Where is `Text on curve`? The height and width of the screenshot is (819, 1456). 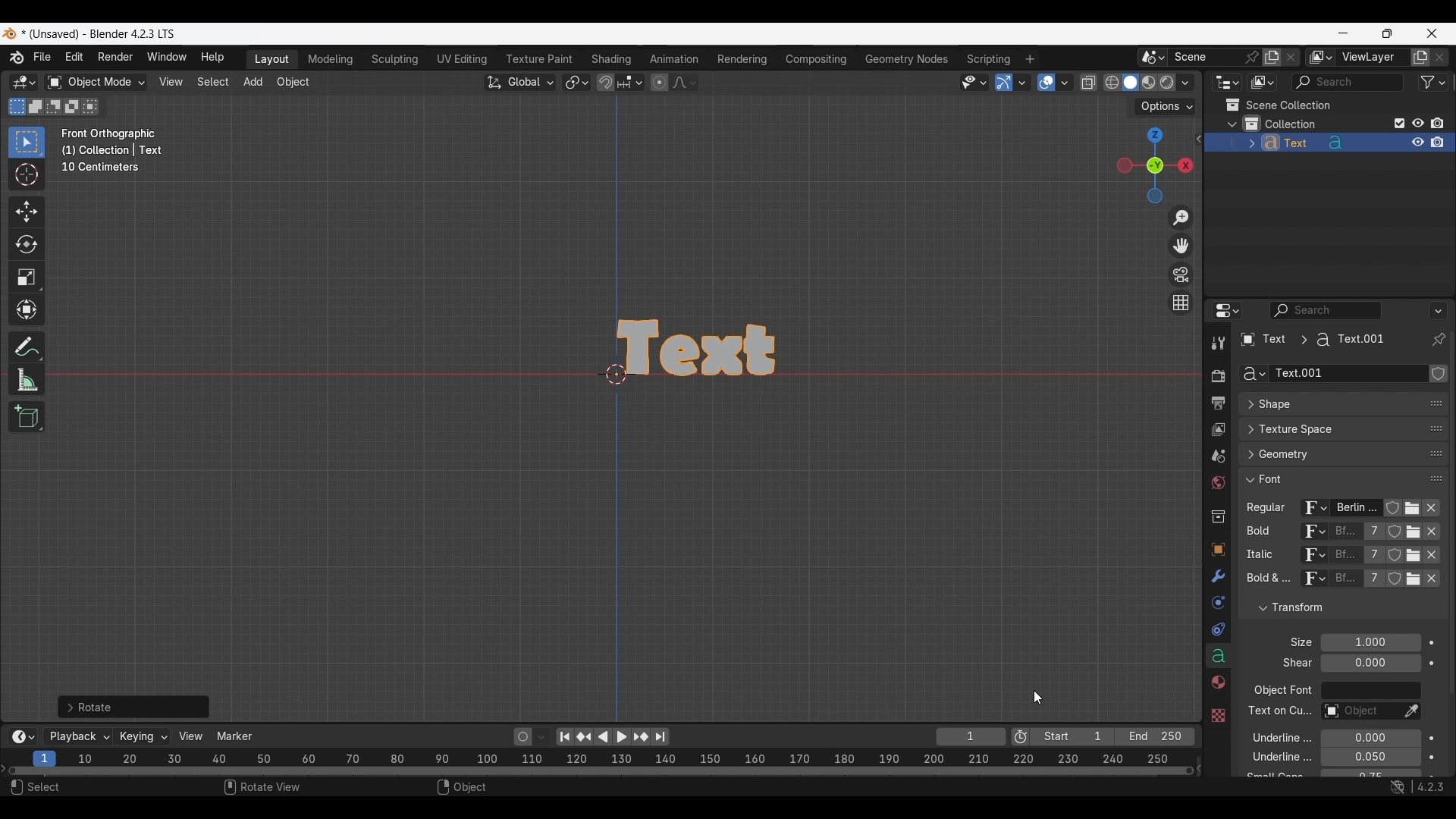 Text on curve is located at coordinates (1359, 712).